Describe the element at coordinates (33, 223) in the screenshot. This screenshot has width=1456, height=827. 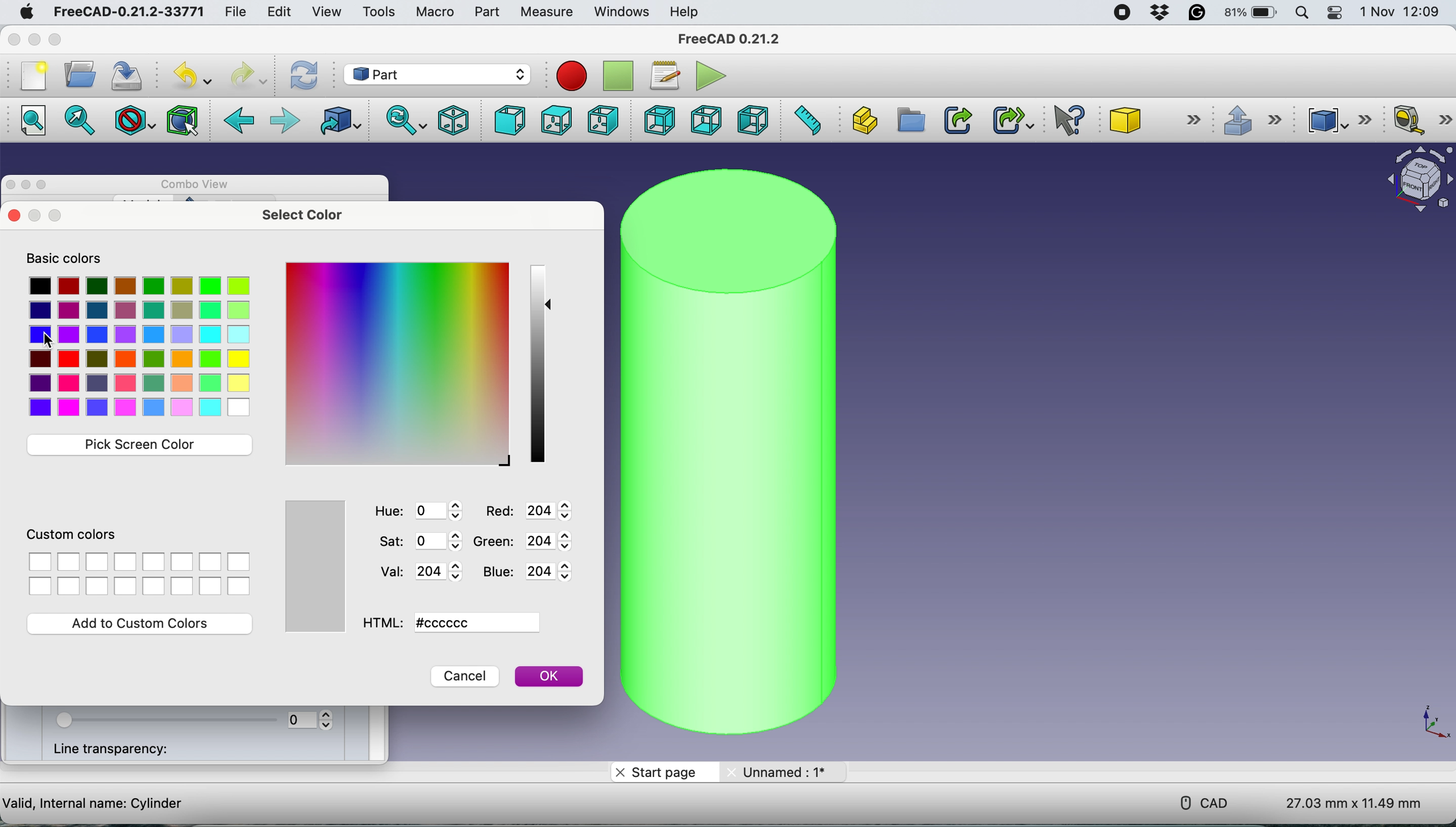
I see `close` at that location.